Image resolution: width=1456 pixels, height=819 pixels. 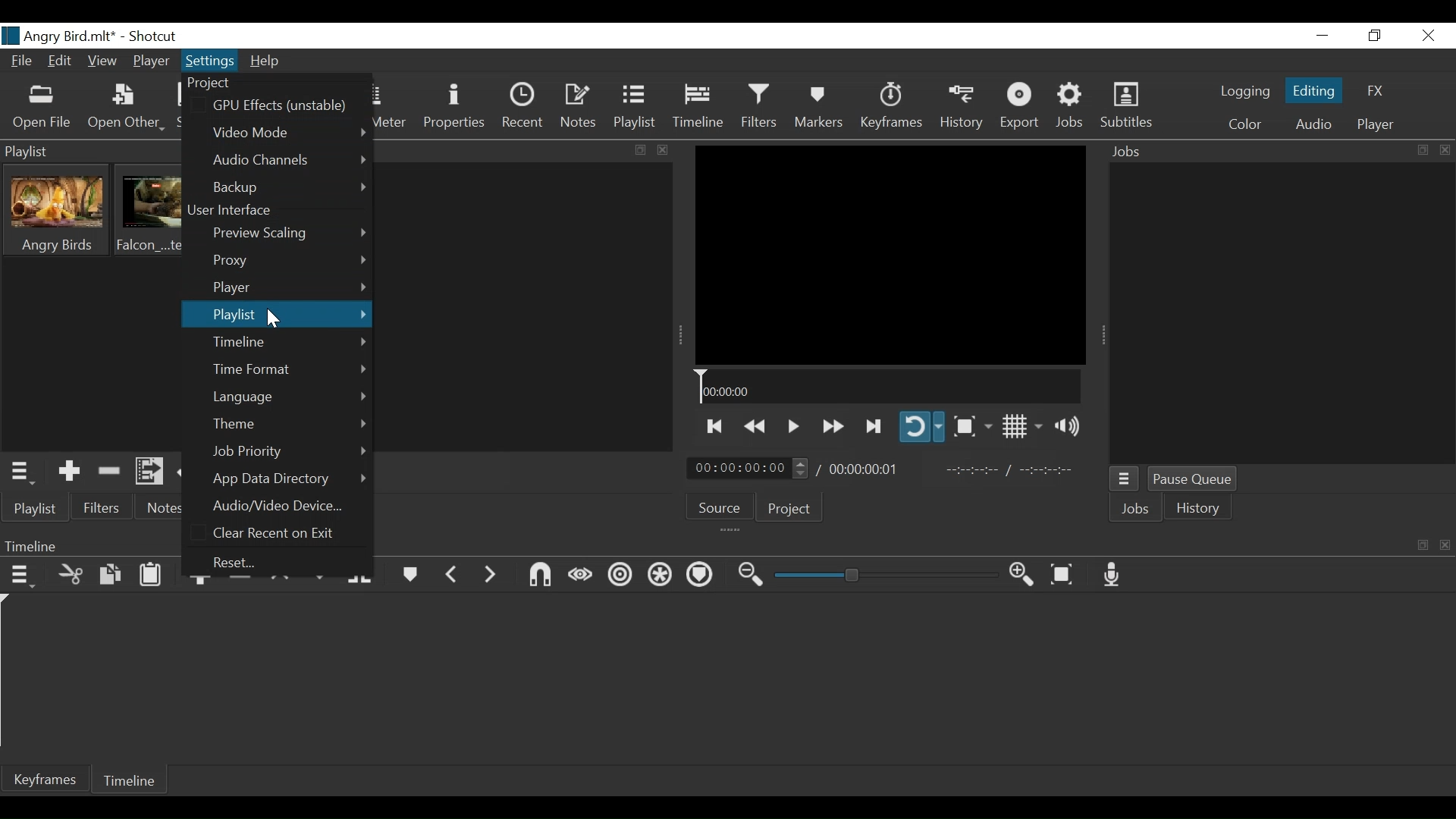 I want to click on View, so click(x=102, y=61).